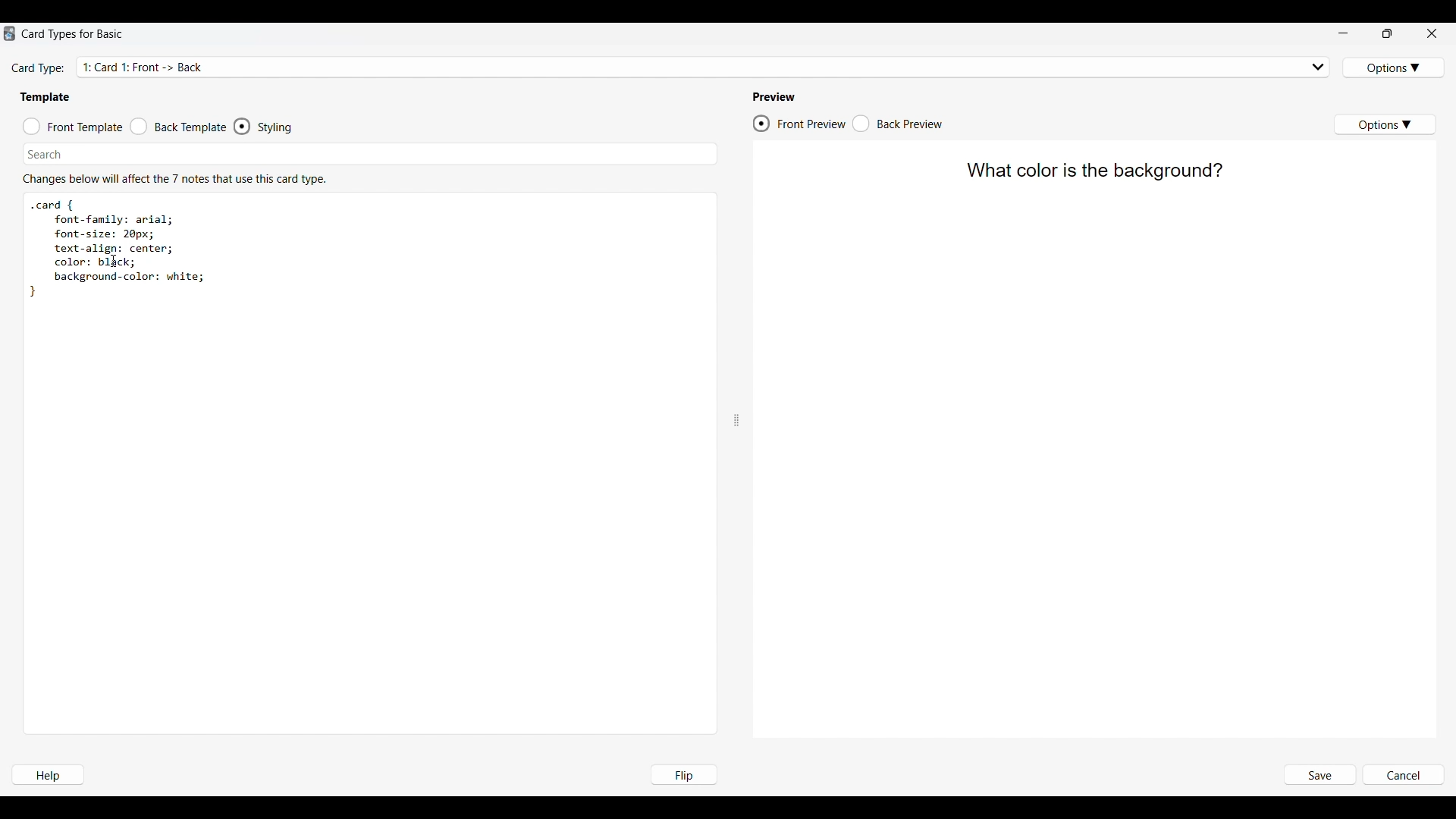 This screenshot has width=1456, height=819. What do you see at coordinates (73, 127) in the screenshot?
I see `Front template` at bounding box center [73, 127].